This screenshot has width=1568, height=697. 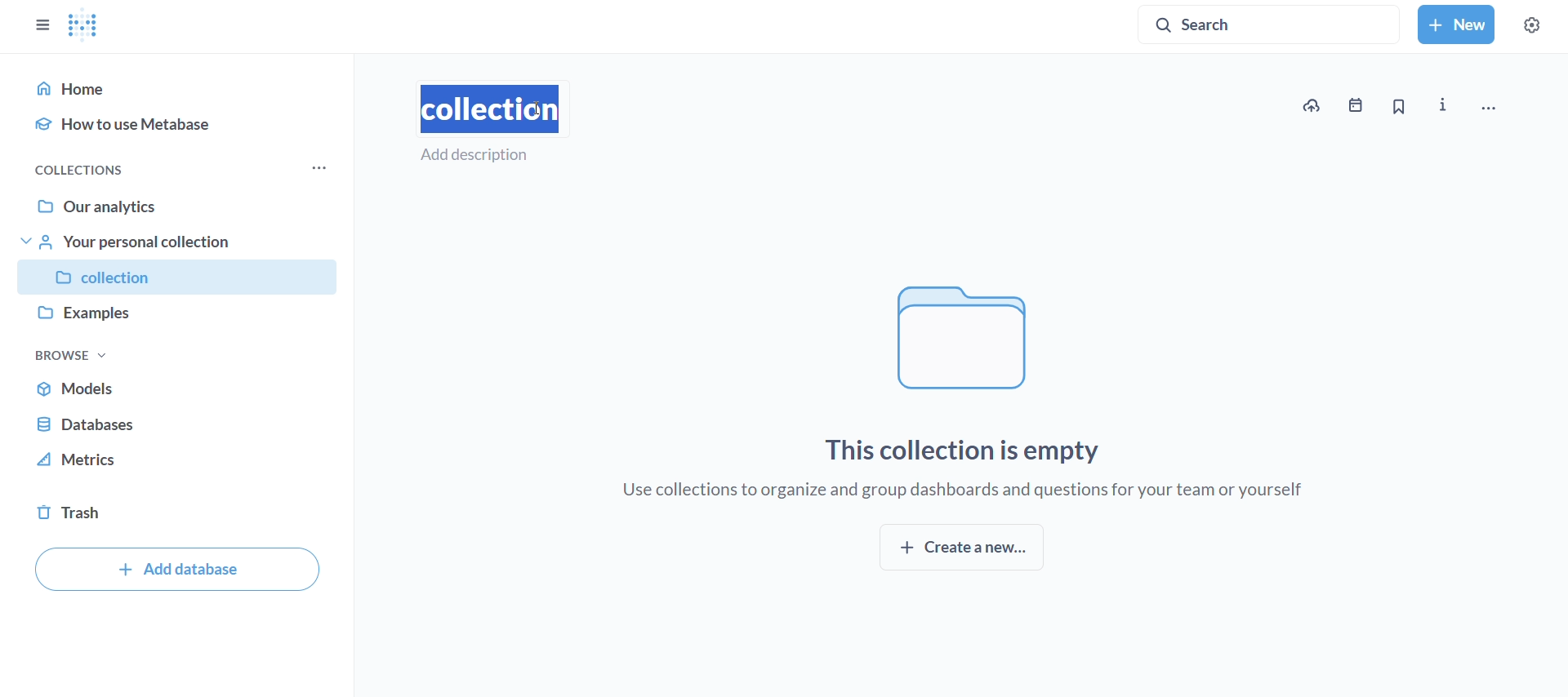 What do you see at coordinates (78, 171) in the screenshot?
I see `collections` at bounding box center [78, 171].